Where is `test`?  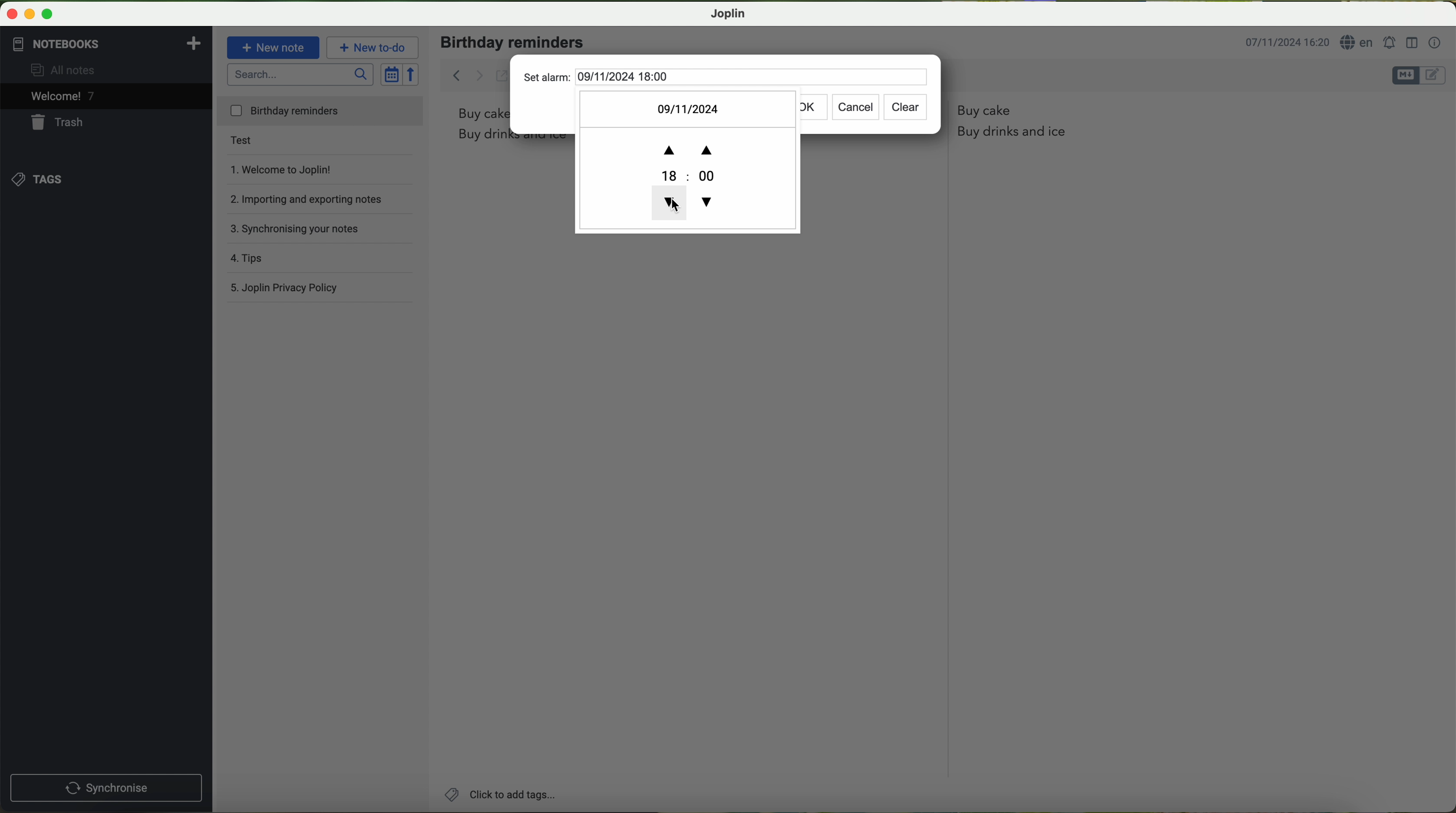
test is located at coordinates (261, 142).